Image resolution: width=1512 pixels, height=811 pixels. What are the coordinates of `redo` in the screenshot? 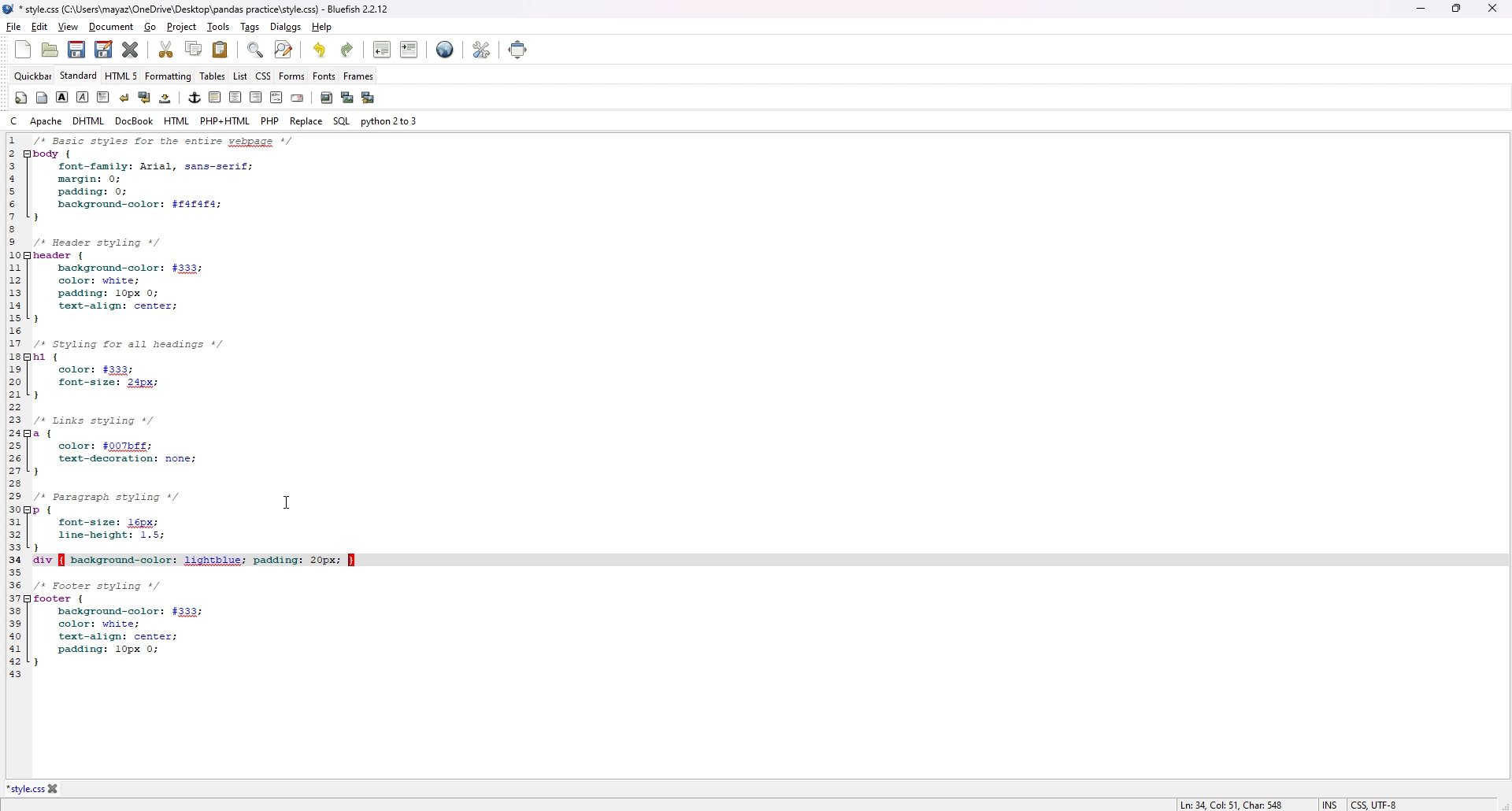 It's located at (349, 50).